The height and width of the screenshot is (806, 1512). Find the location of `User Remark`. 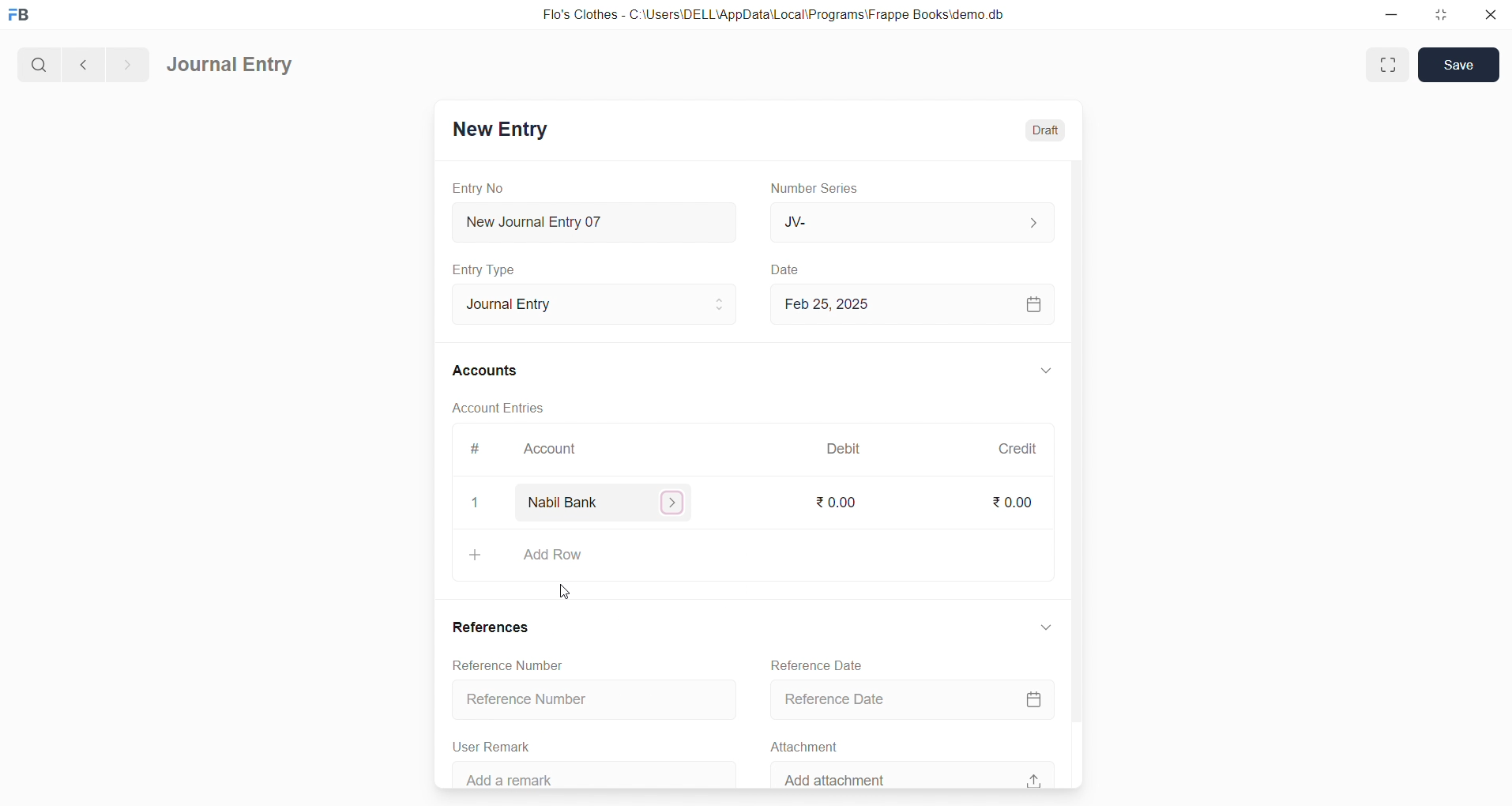

User Remark is located at coordinates (496, 744).